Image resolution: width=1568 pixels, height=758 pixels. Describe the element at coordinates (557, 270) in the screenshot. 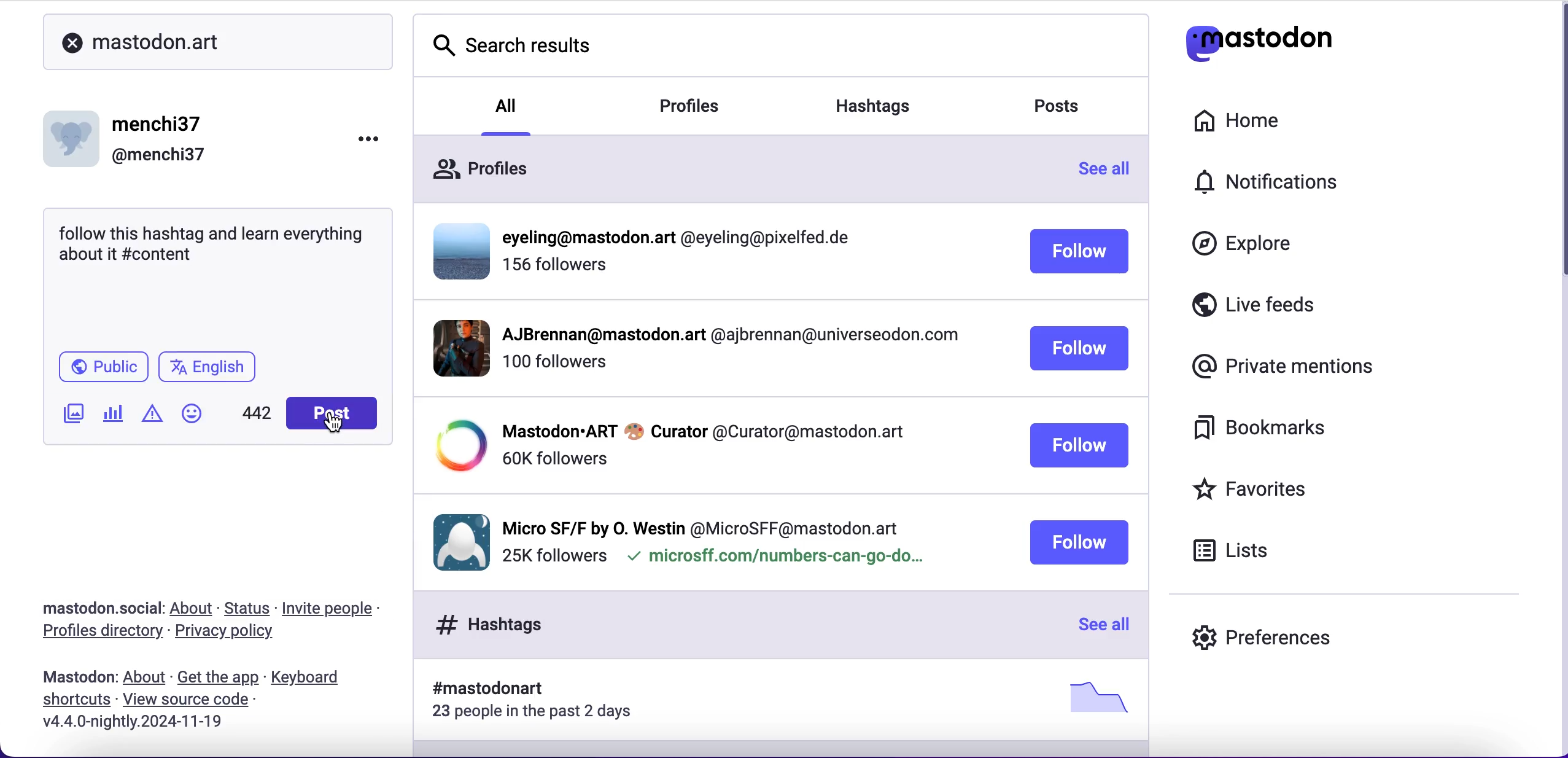

I see `followers` at that location.